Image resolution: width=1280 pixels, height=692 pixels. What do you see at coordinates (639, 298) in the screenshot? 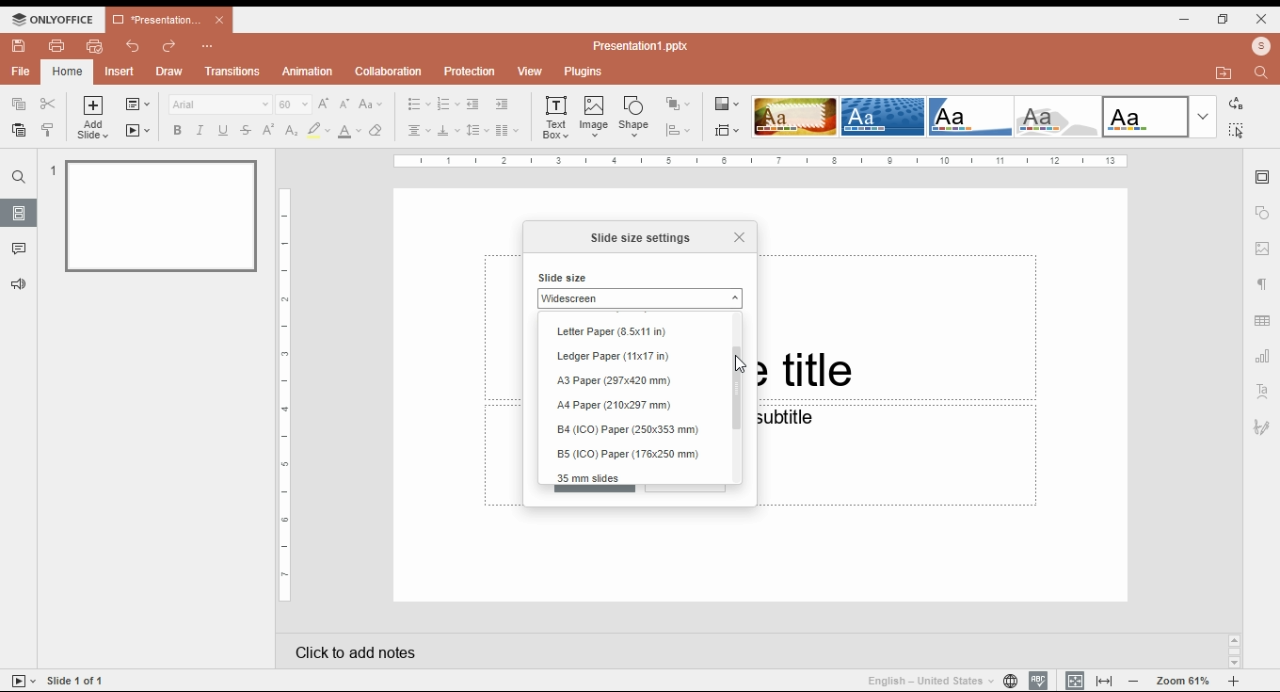
I see `Widescreen` at bounding box center [639, 298].